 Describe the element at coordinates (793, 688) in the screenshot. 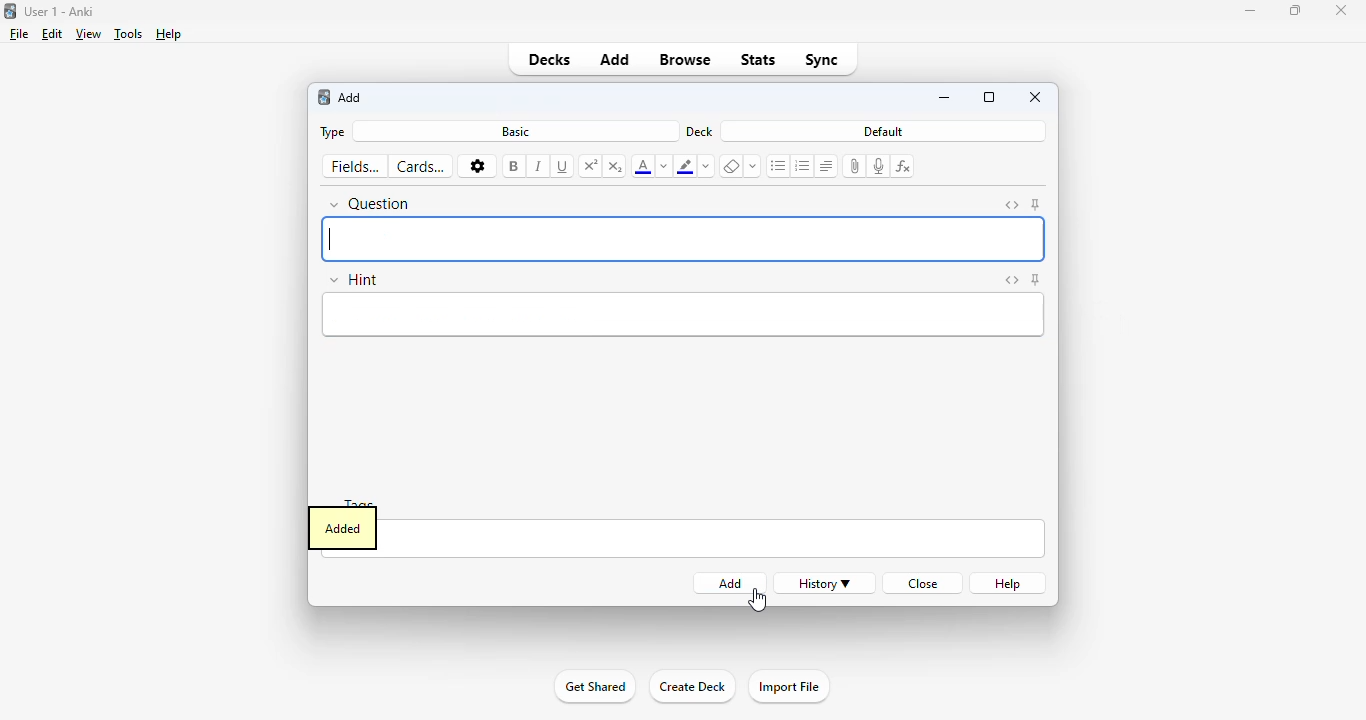

I see `Import File` at that location.